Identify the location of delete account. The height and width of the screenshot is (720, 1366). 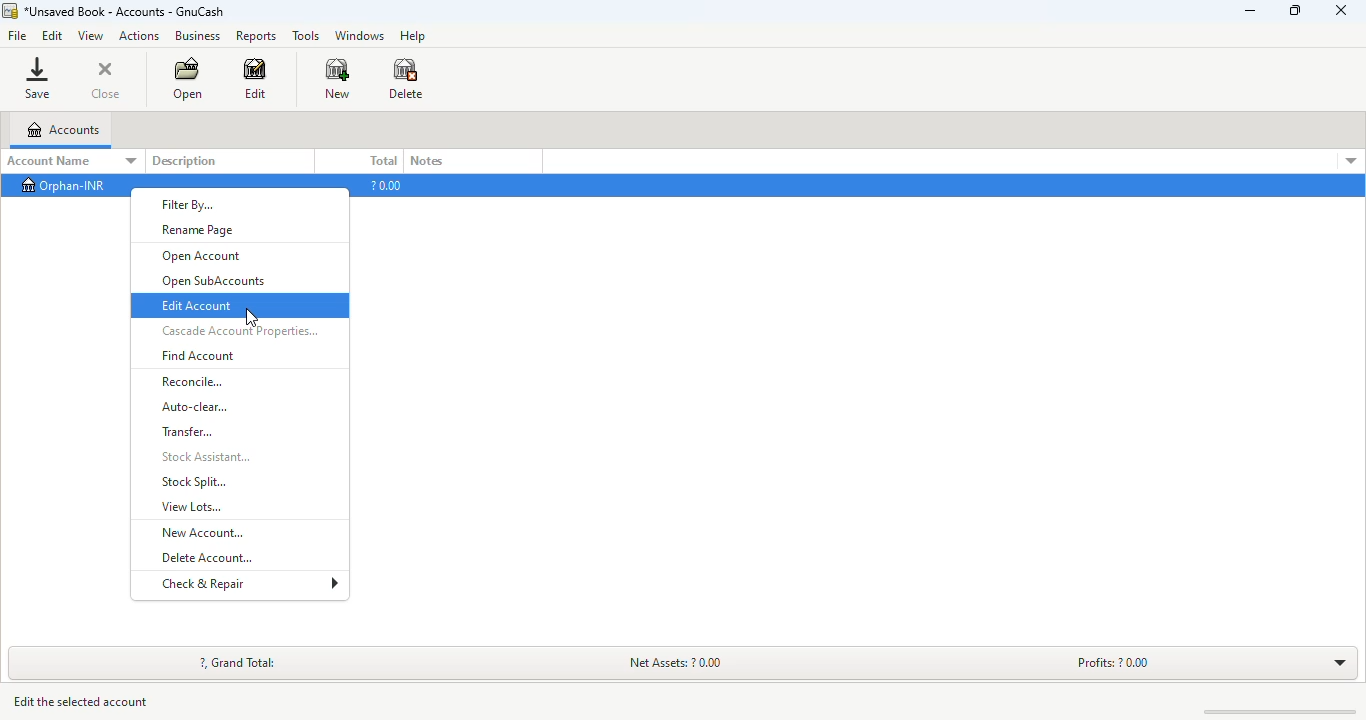
(207, 557).